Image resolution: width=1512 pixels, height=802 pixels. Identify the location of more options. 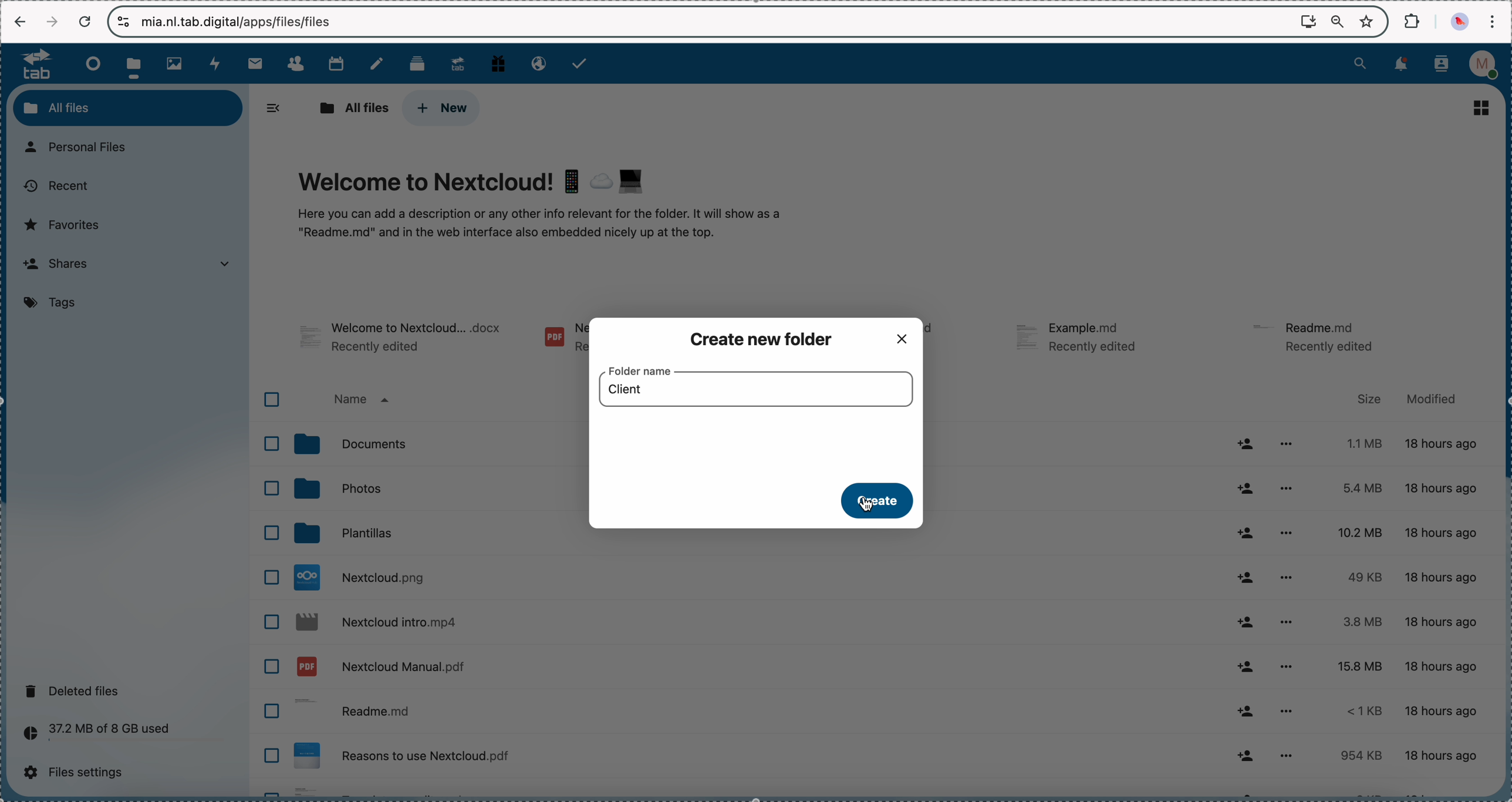
(1287, 578).